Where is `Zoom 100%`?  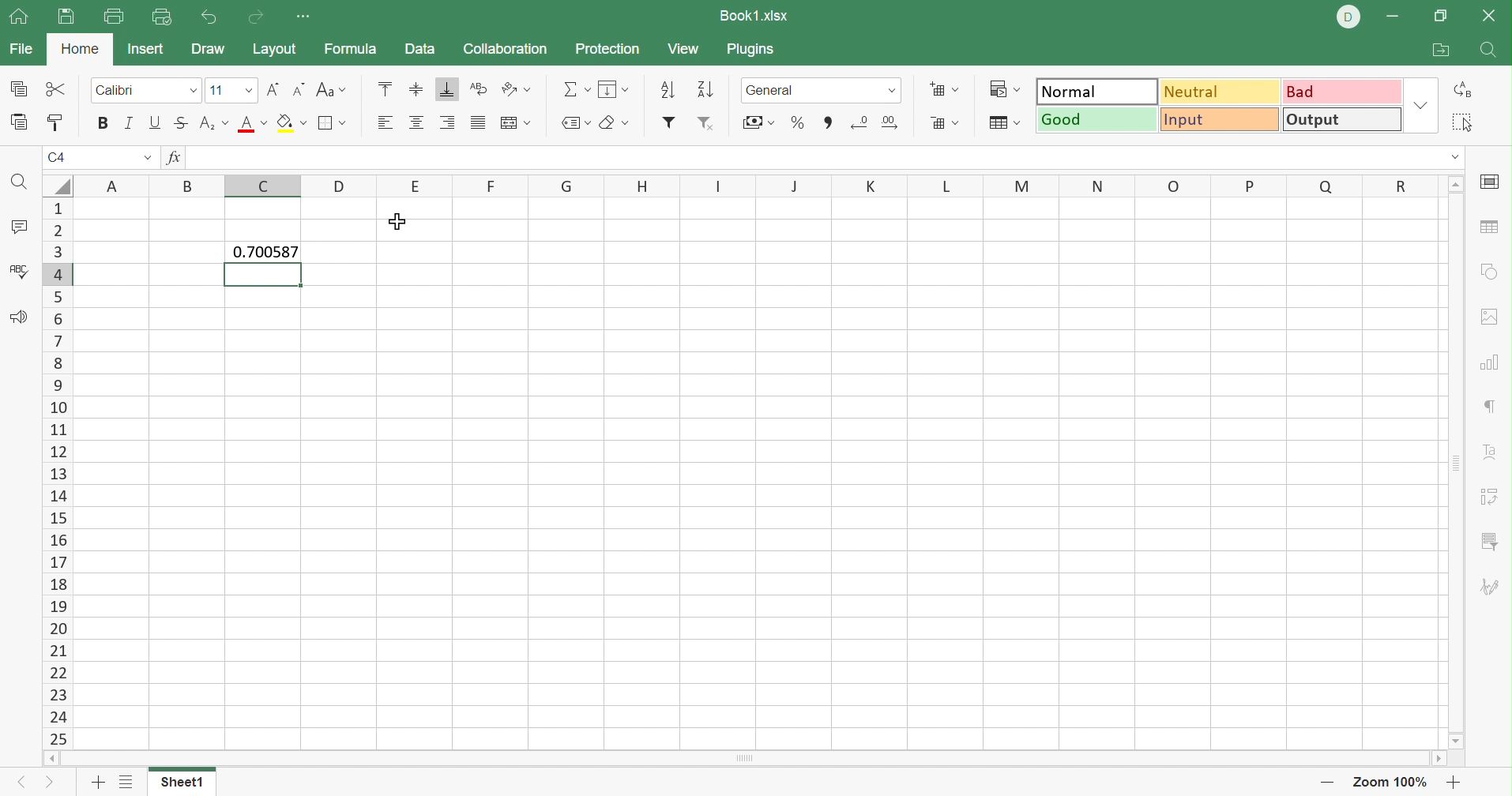
Zoom 100% is located at coordinates (1394, 782).